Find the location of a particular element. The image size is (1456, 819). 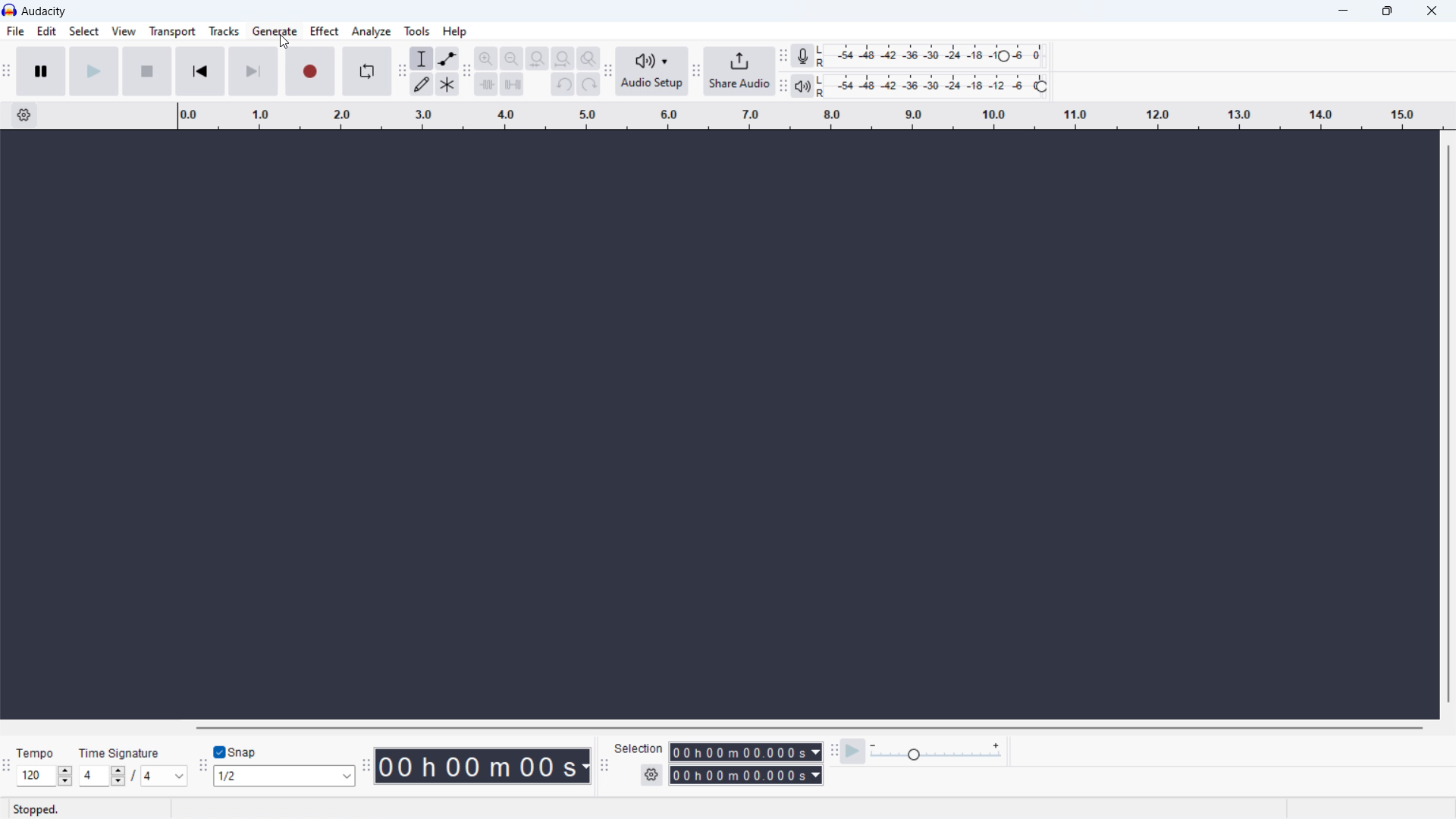

redo is located at coordinates (588, 84).